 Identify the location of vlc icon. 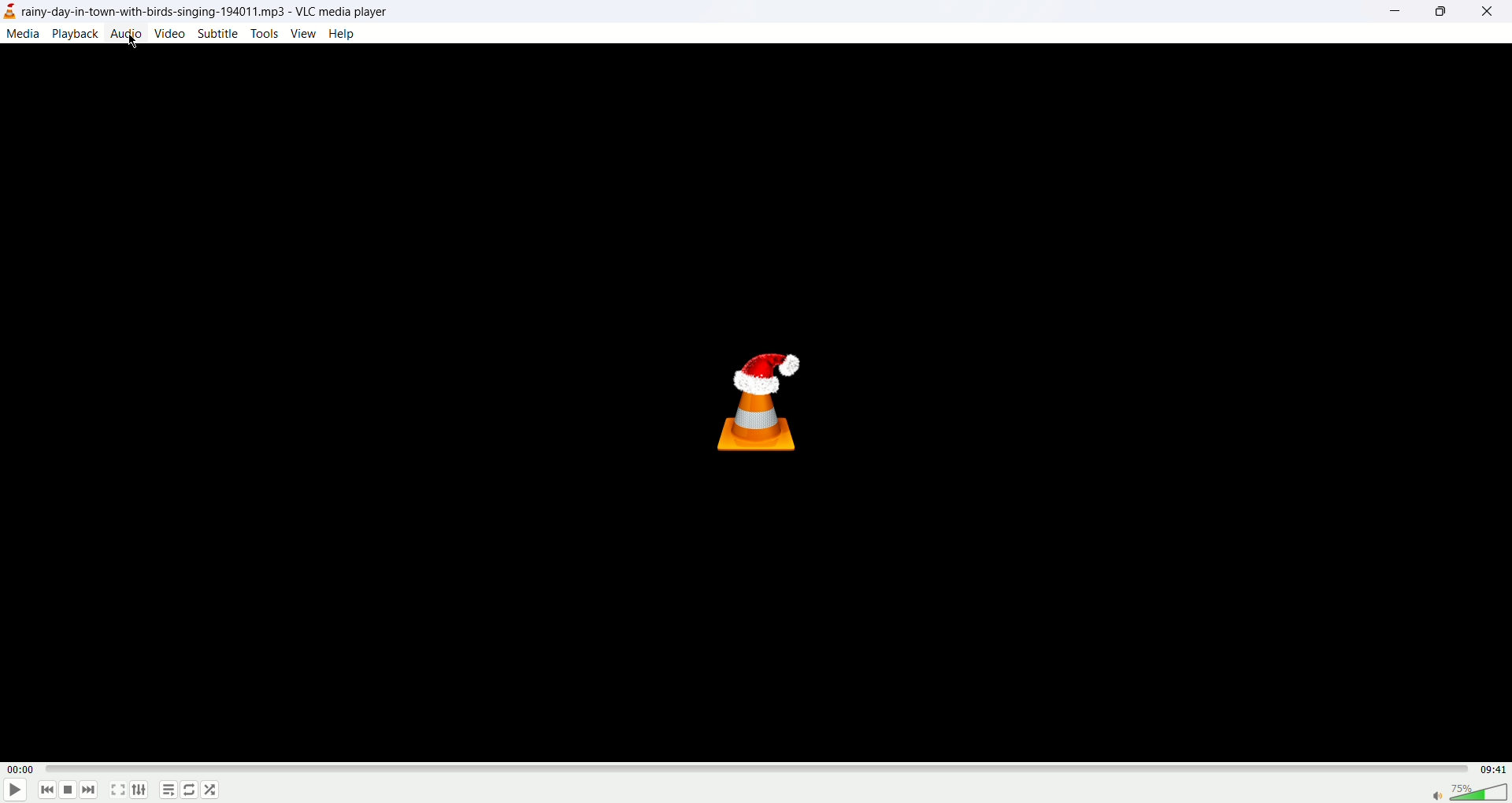
(758, 404).